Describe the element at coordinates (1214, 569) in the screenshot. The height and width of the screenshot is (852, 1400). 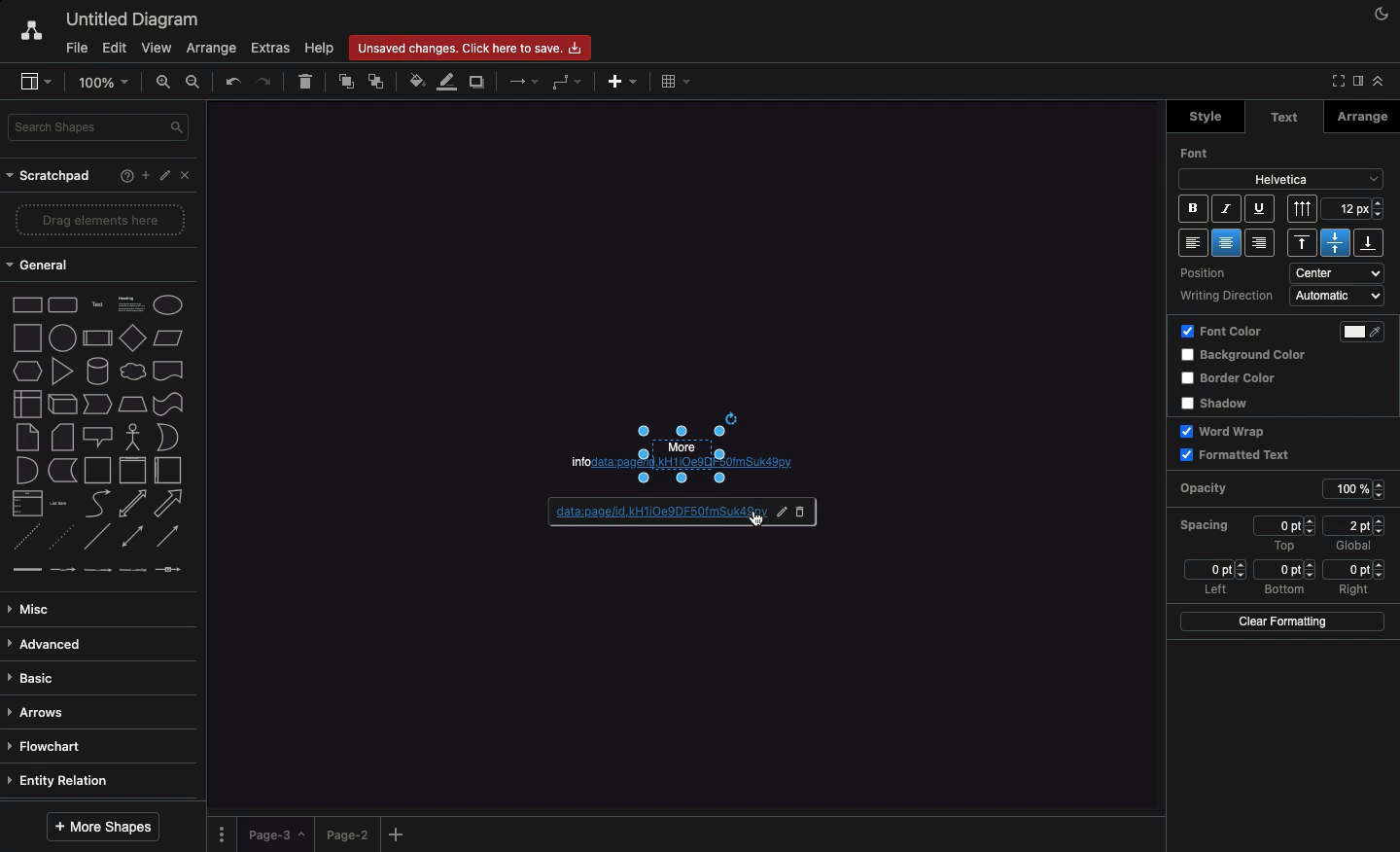
I see `0 pt` at that location.